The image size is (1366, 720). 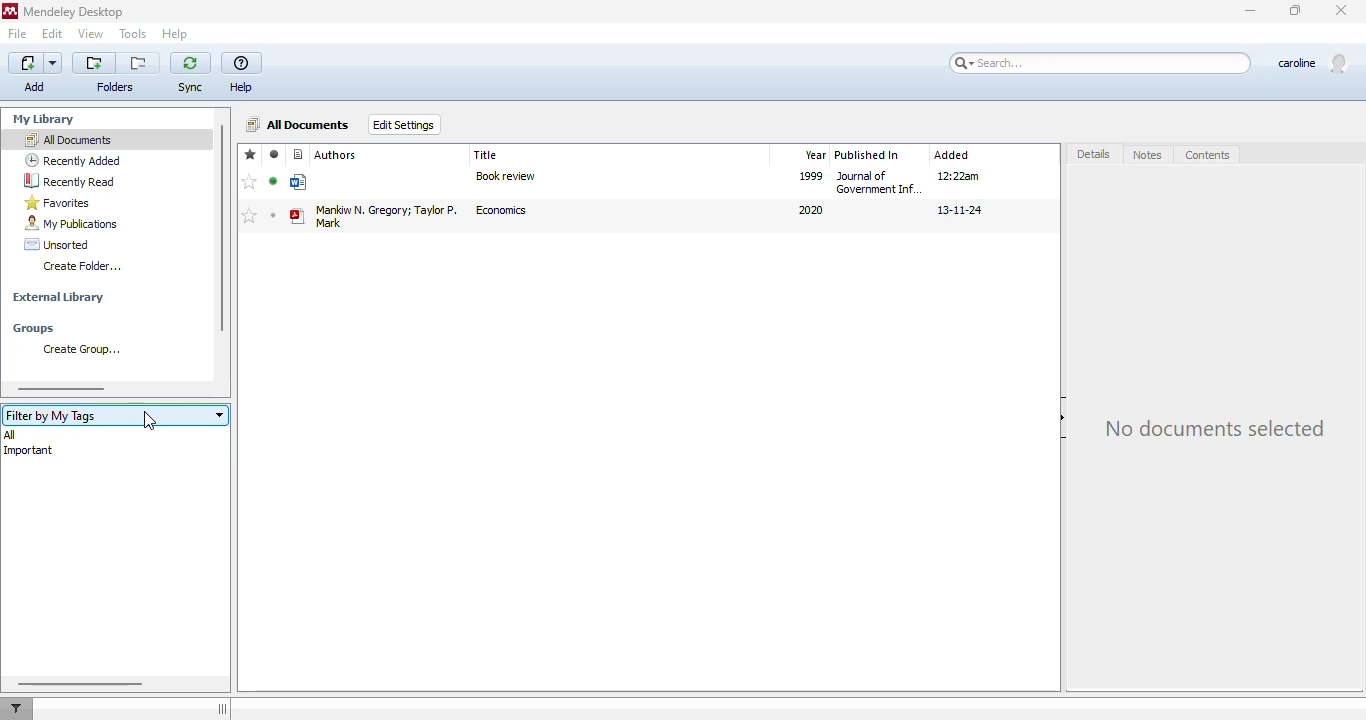 I want to click on horizontal scroll bar, so click(x=62, y=389).